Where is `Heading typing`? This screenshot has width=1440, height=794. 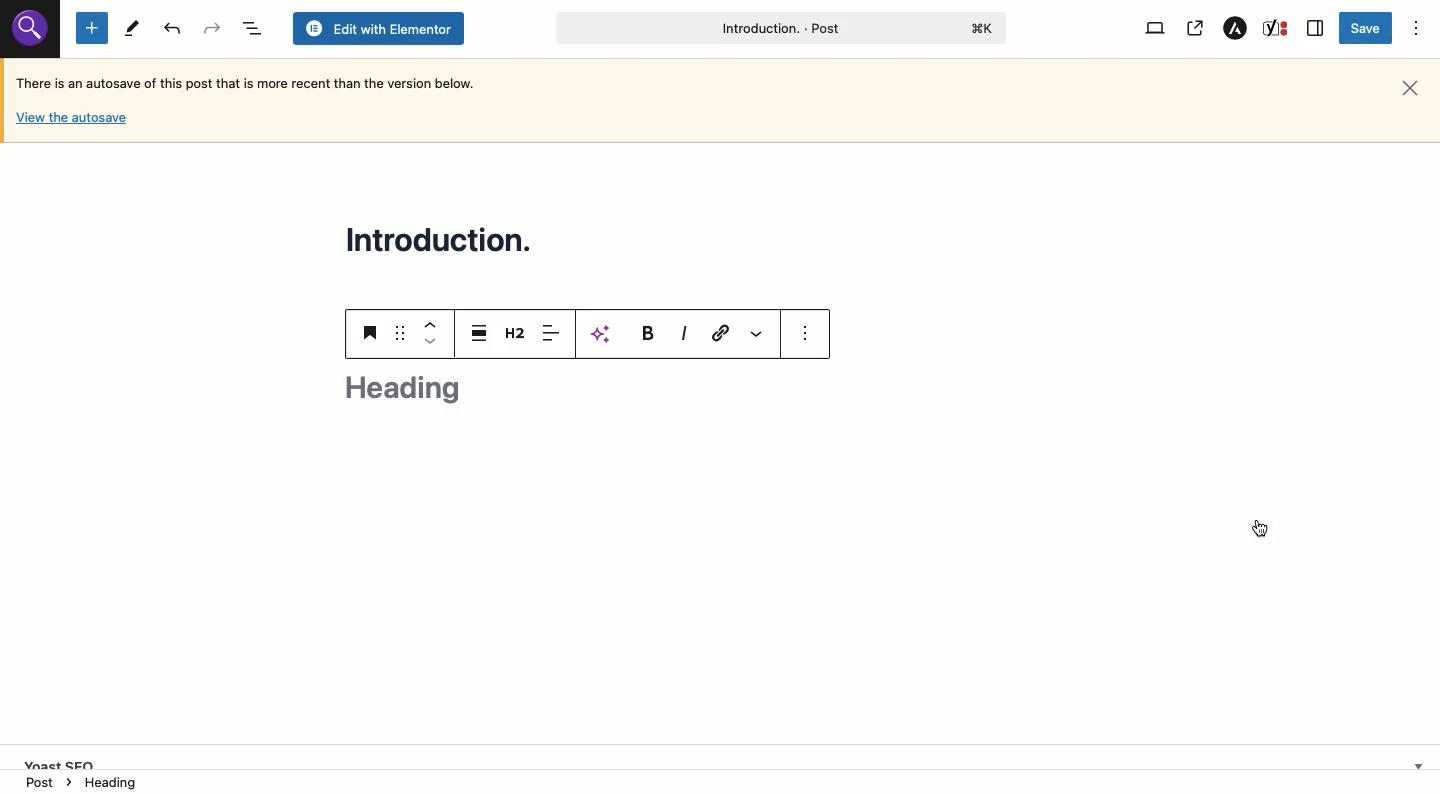
Heading typing is located at coordinates (403, 386).